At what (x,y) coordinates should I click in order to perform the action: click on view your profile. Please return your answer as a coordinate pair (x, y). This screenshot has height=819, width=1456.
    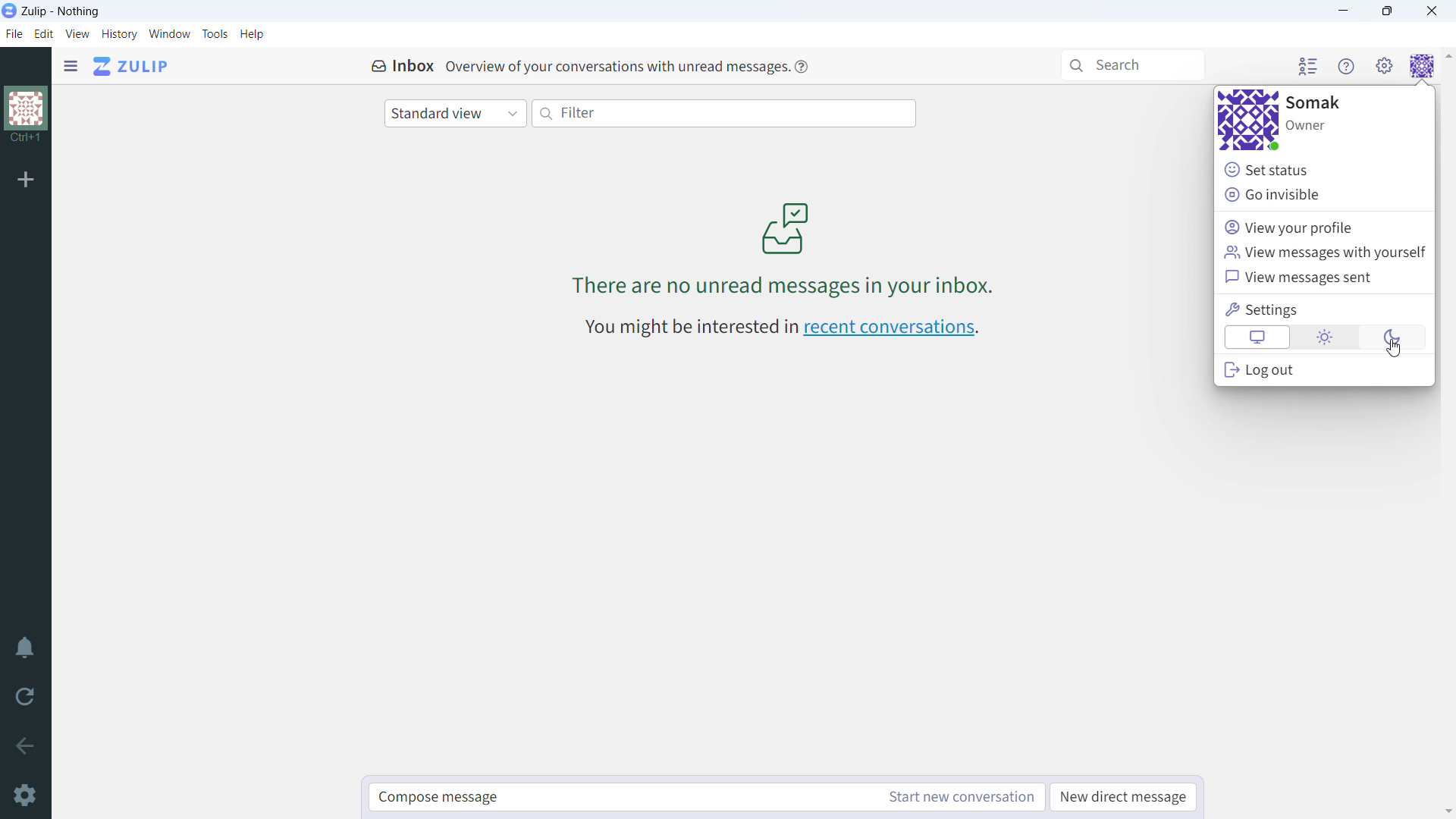
    Looking at the image, I should click on (1322, 226).